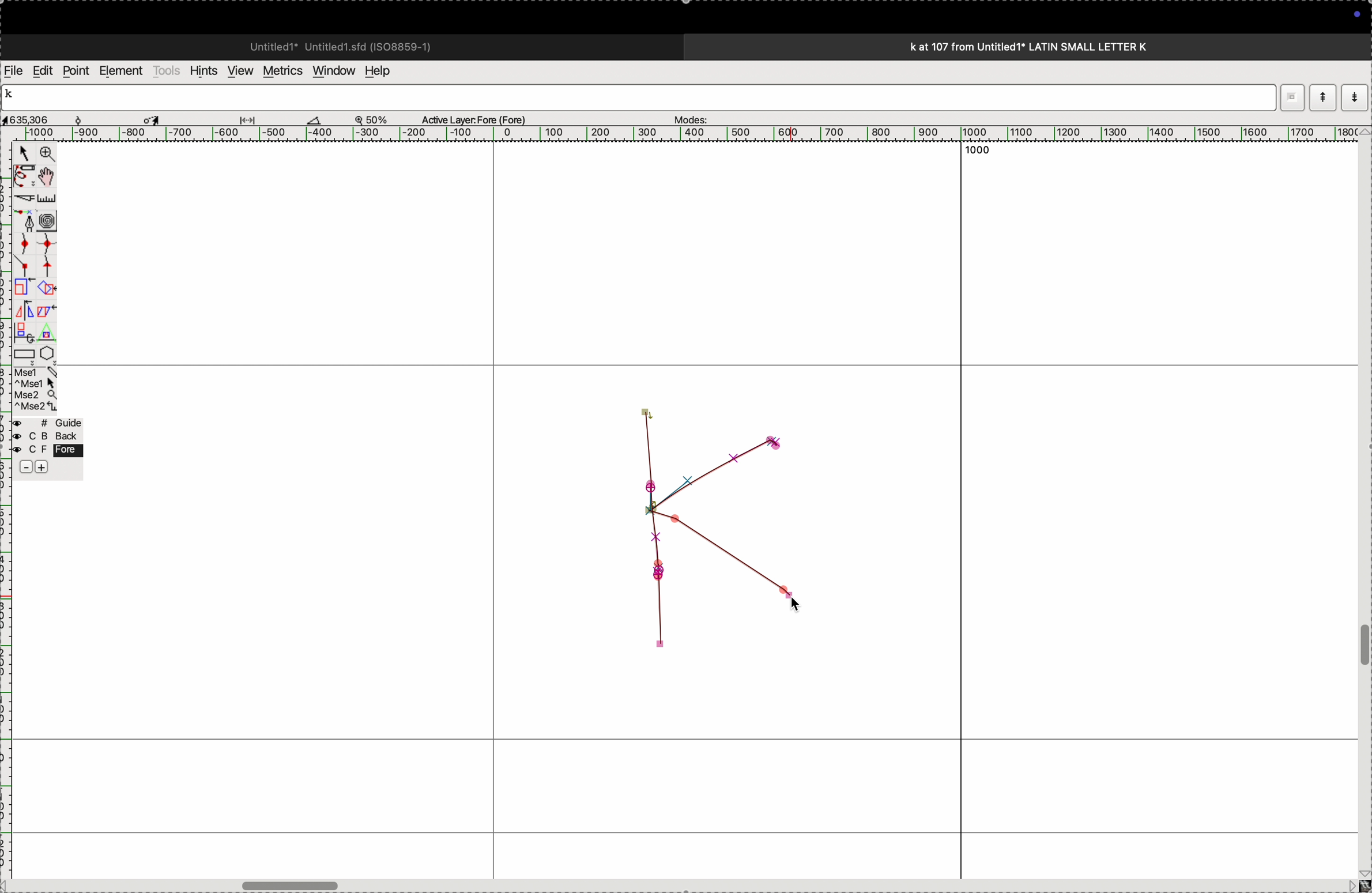 This screenshot has width=1372, height=893. I want to click on cursor, so click(798, 601).